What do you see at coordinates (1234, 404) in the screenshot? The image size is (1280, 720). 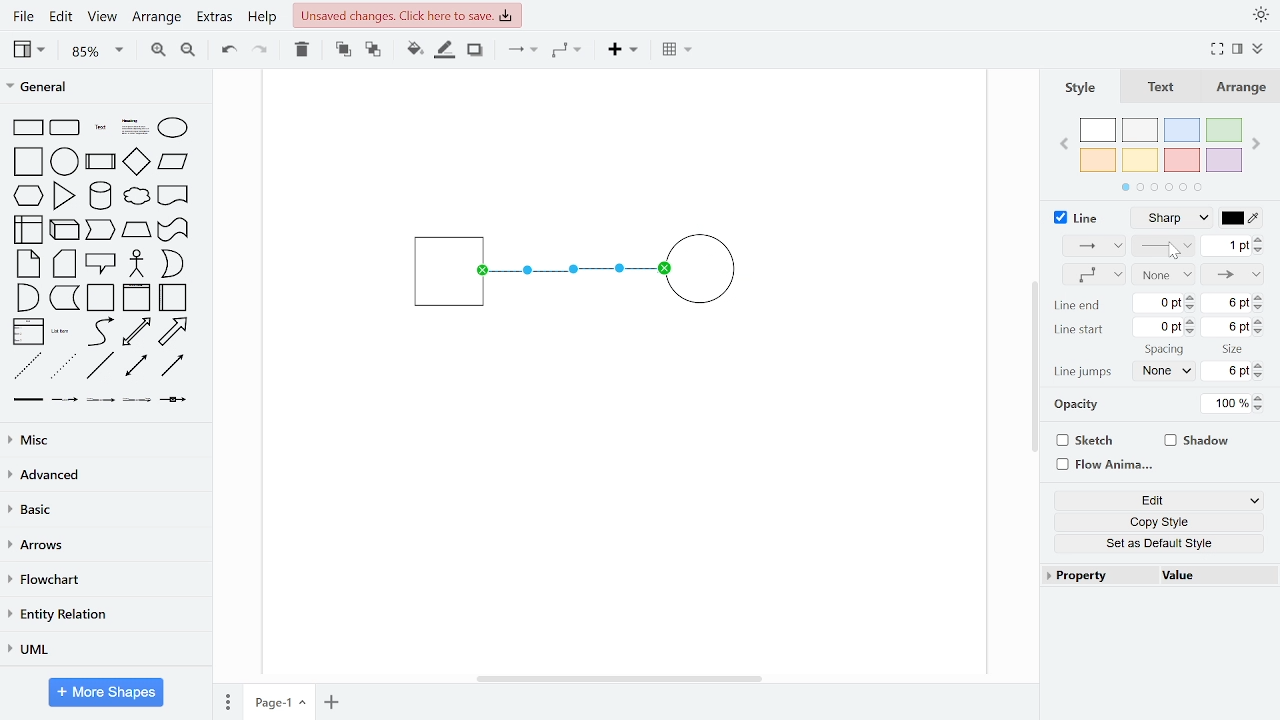 I see `change opacity` at bounding box center [1234, 404].